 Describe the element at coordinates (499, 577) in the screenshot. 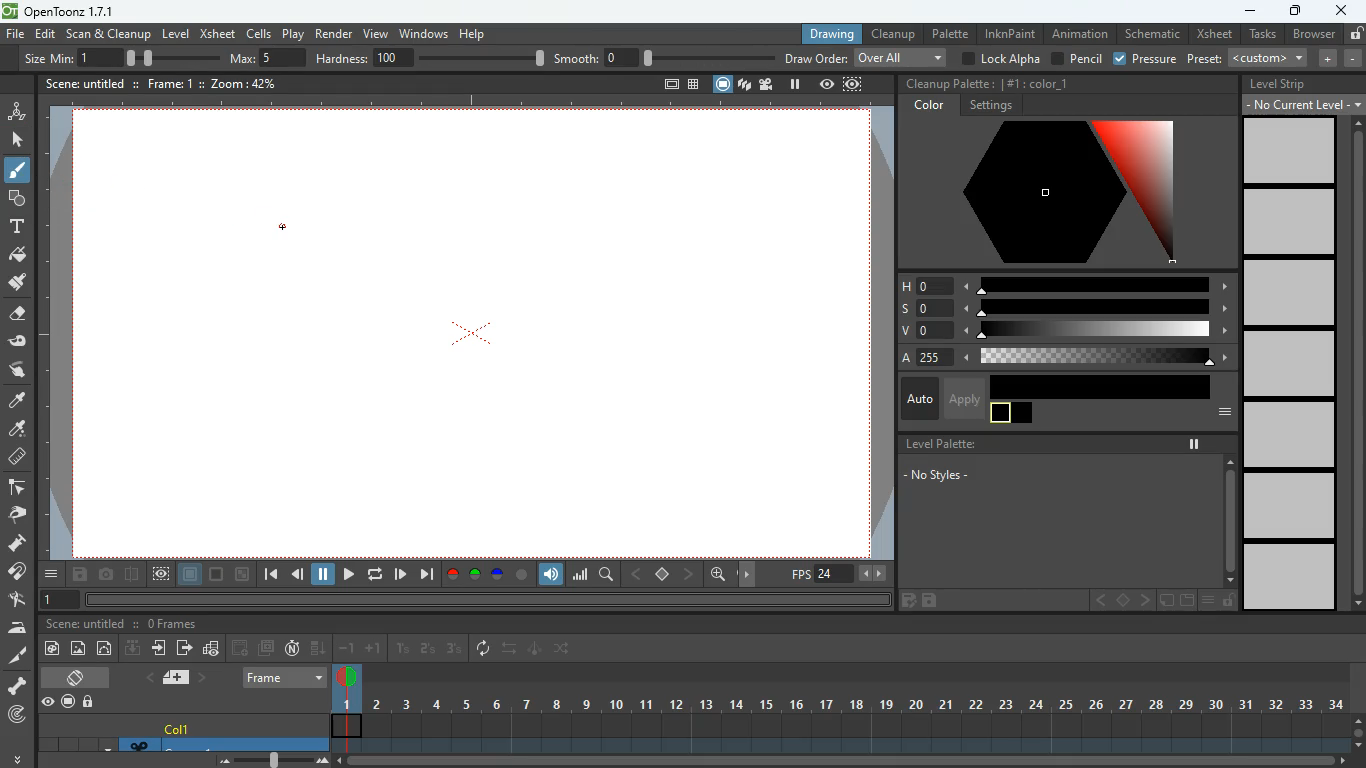

I see `blue` at that location.